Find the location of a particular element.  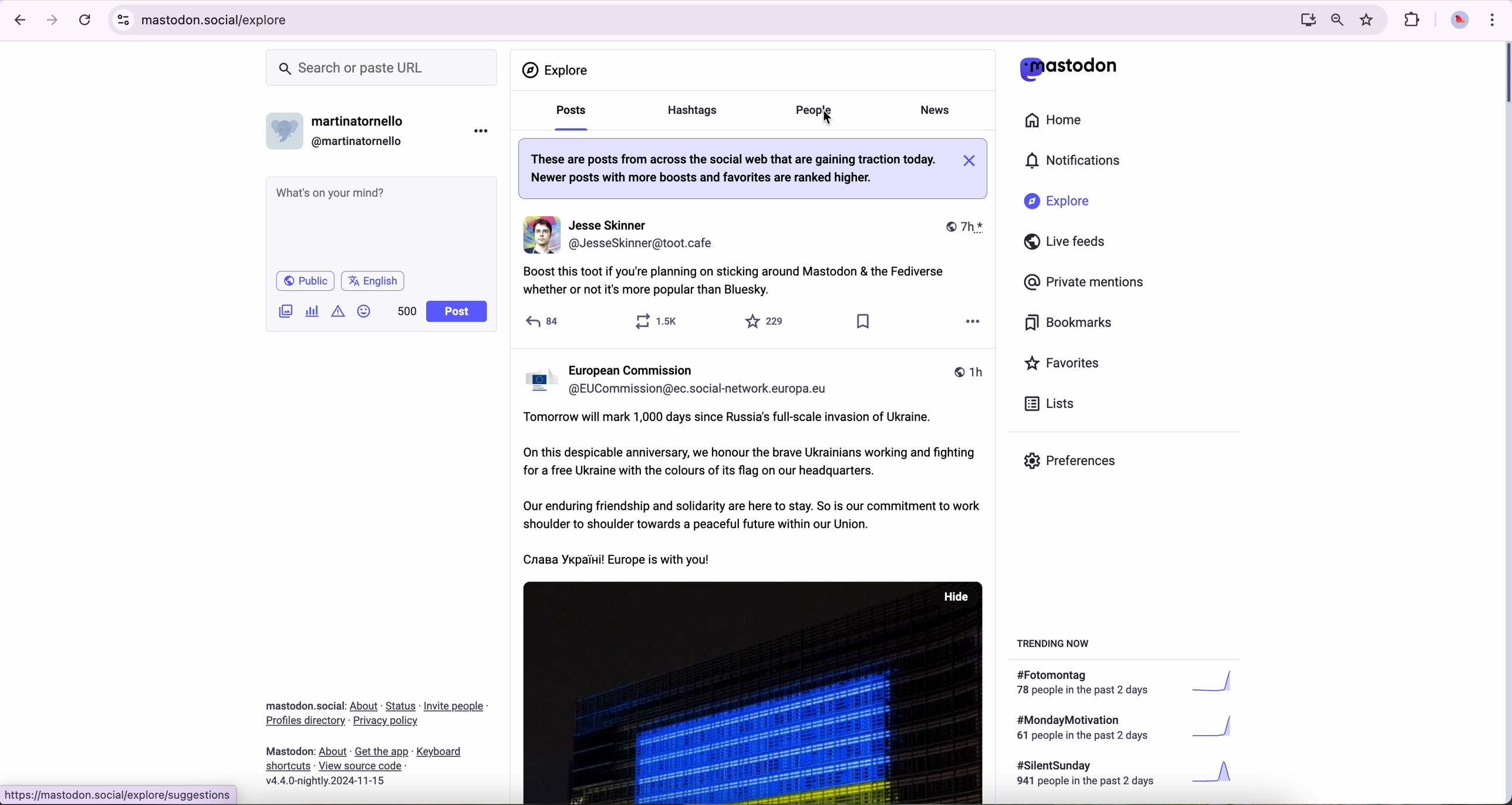

public is located at coordinates (304, 281).